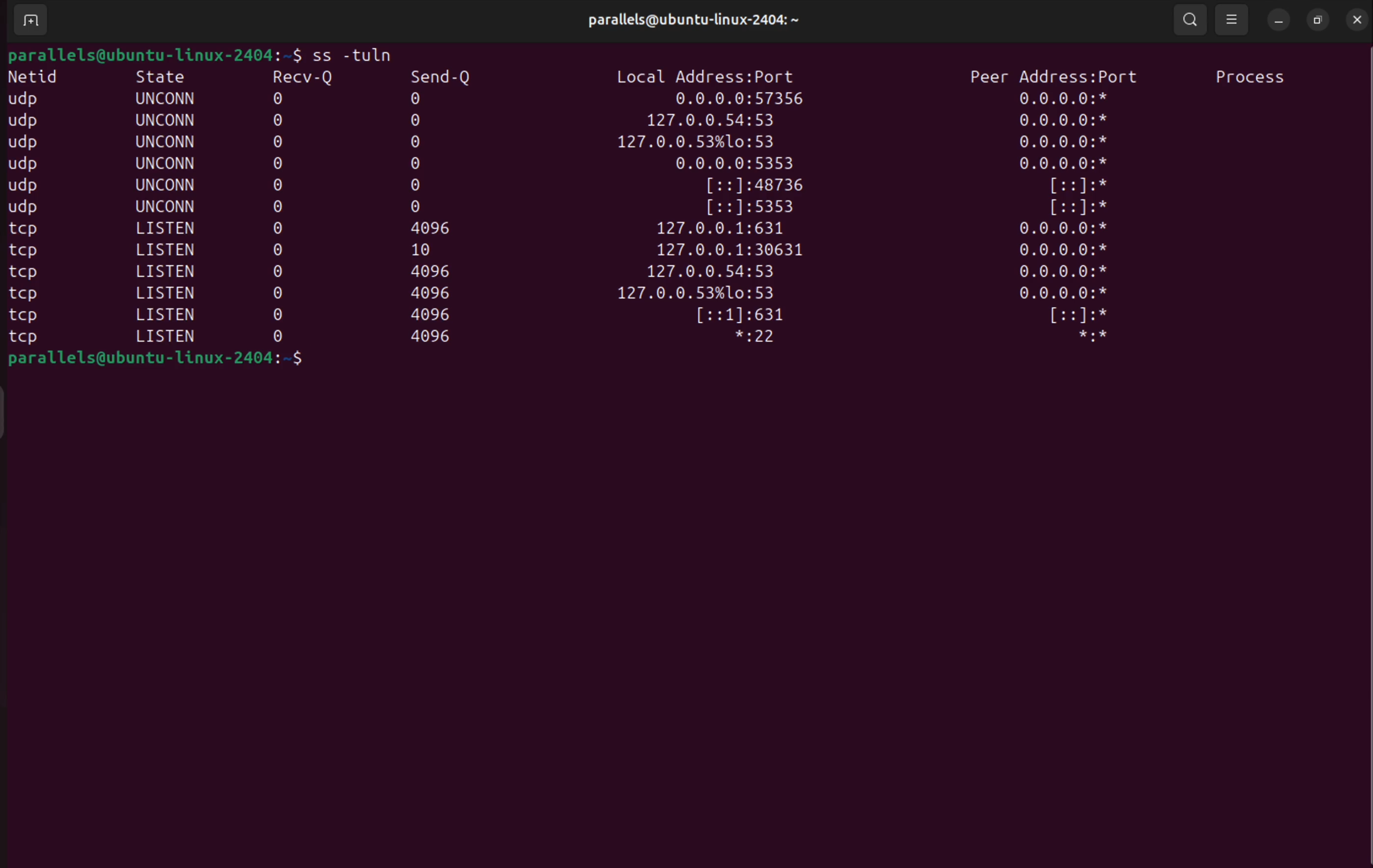 Image resolution: width=1373 pixels, height=868 pixels. What do you see at coordinates (755, 186) in the screenshot?
I see `48736` at bounding box center [755, 186].